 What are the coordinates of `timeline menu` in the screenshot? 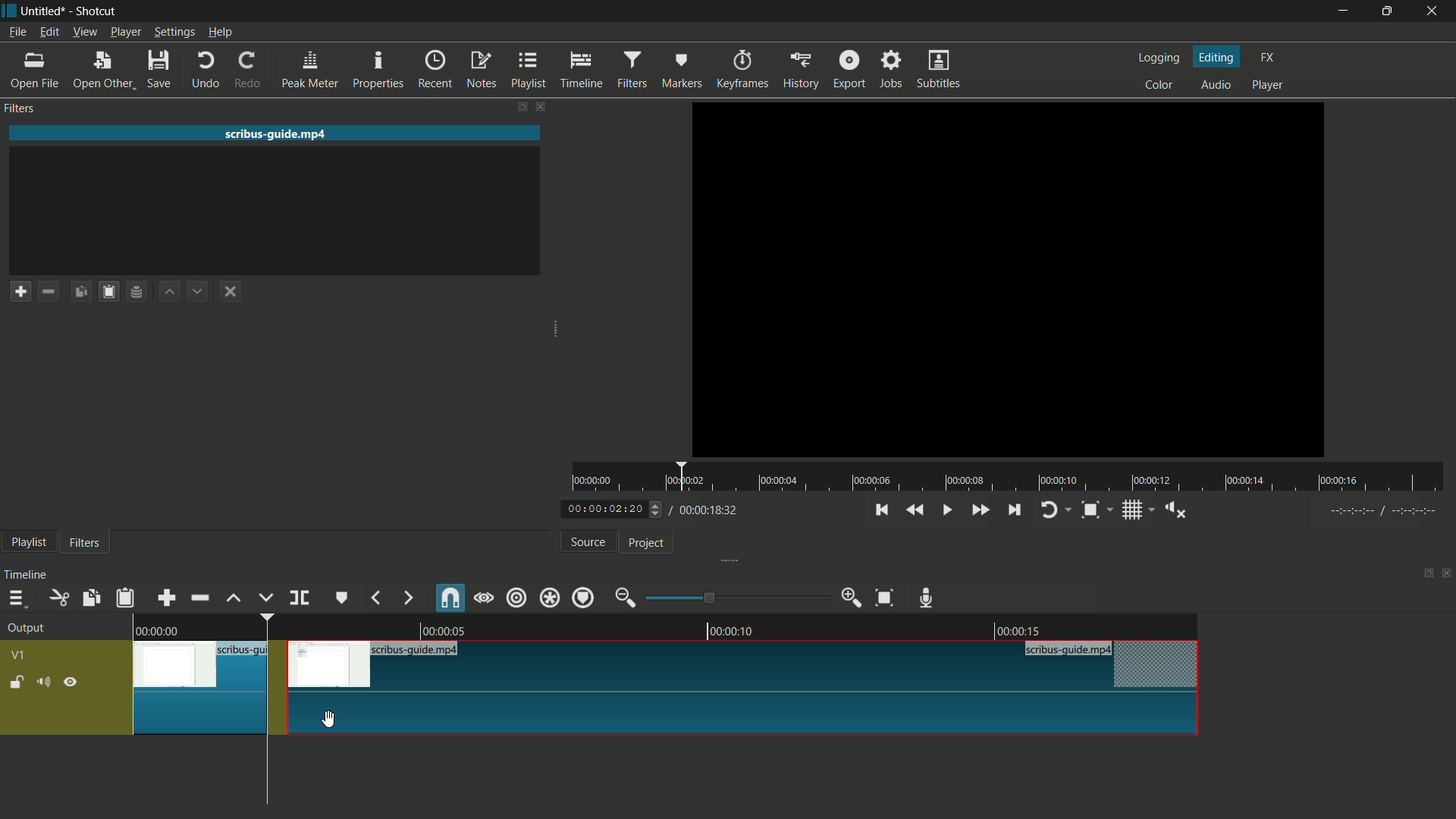 It's located at (15, 598).